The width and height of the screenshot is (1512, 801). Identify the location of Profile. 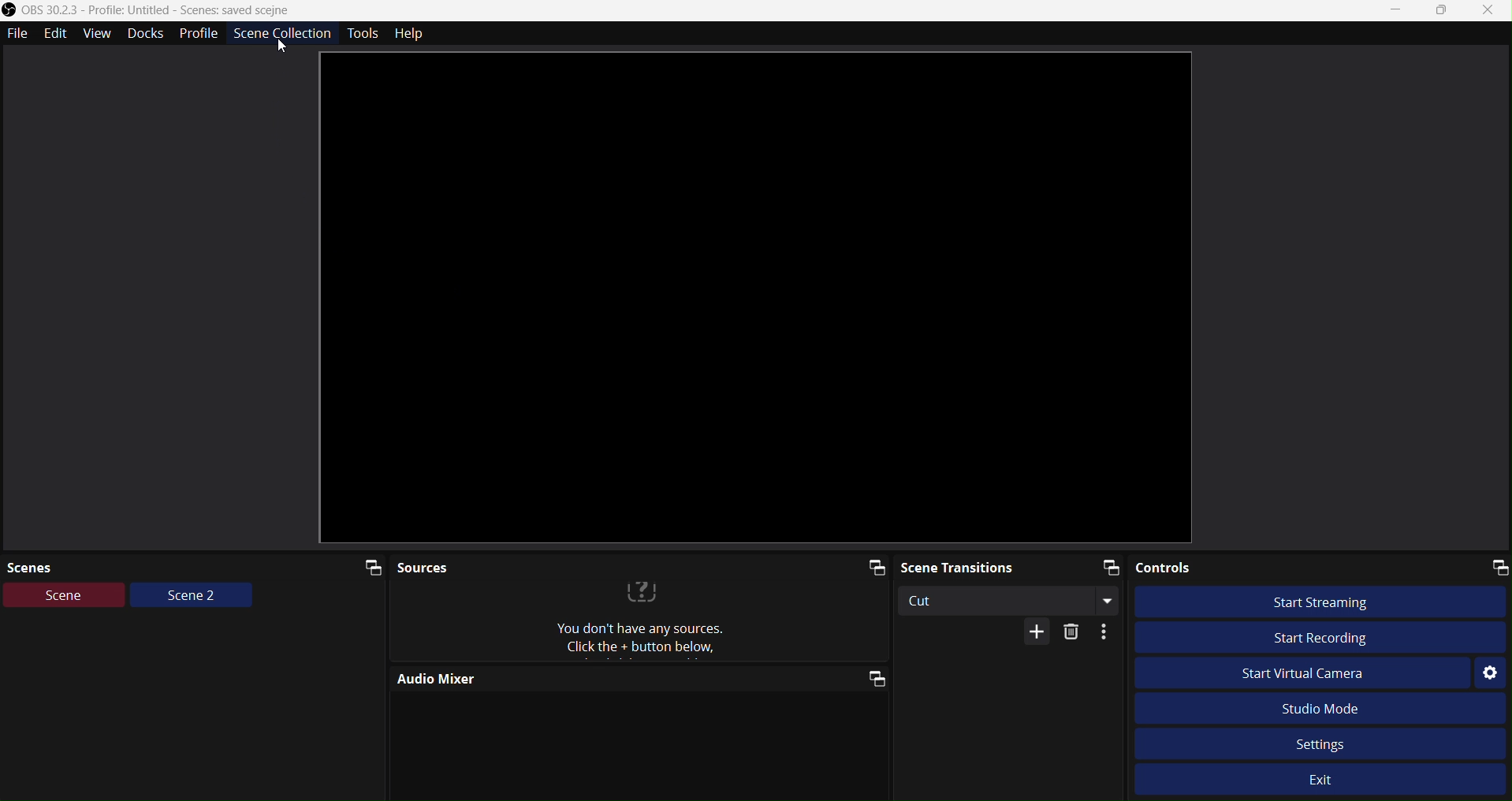
(200, 33).